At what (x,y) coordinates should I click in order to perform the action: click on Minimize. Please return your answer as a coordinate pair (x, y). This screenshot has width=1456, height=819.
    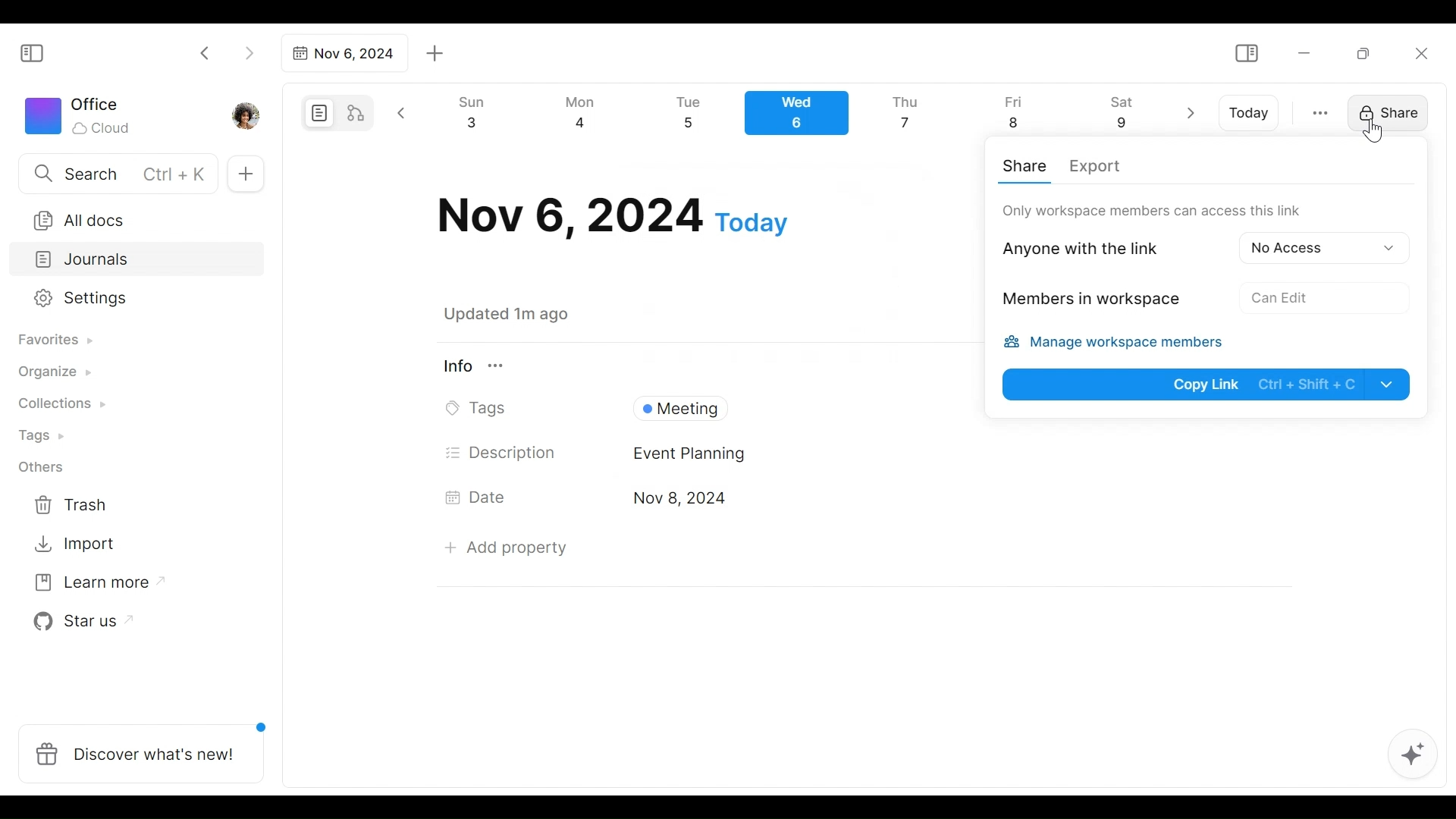
    Looking at the image, I should click on (1304, 52).